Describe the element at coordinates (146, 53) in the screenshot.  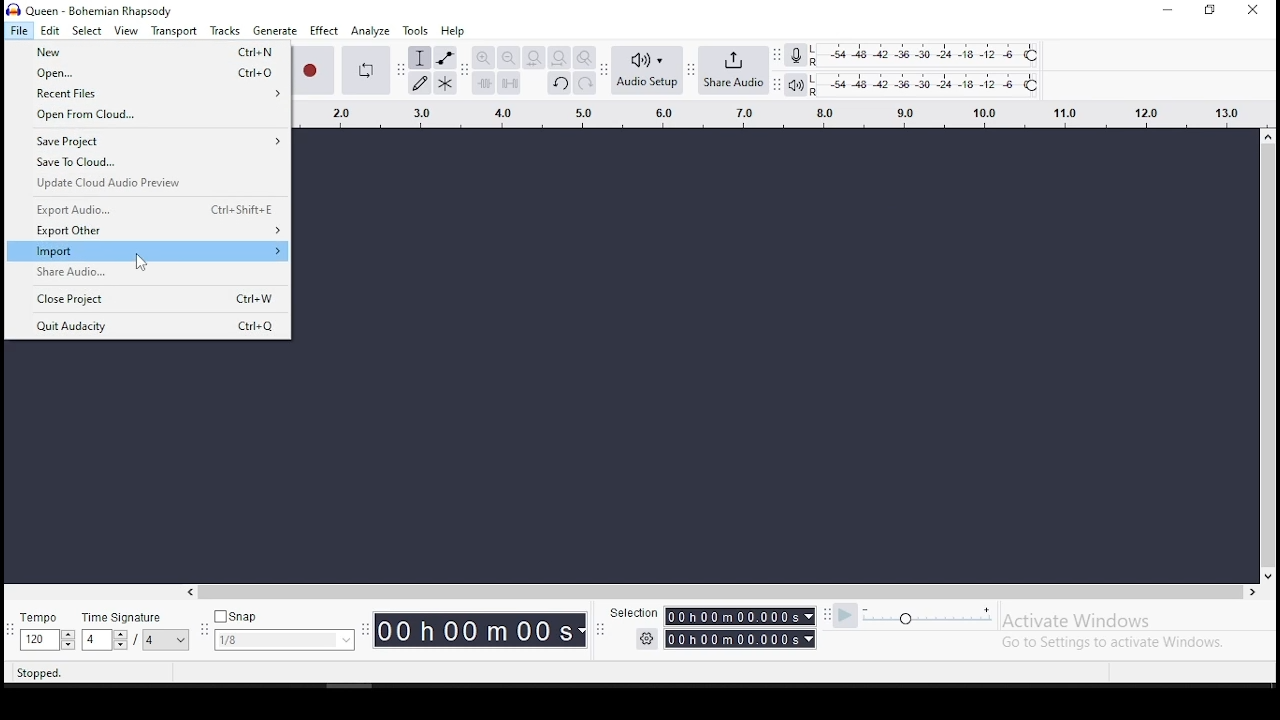
I see `New` at that location.